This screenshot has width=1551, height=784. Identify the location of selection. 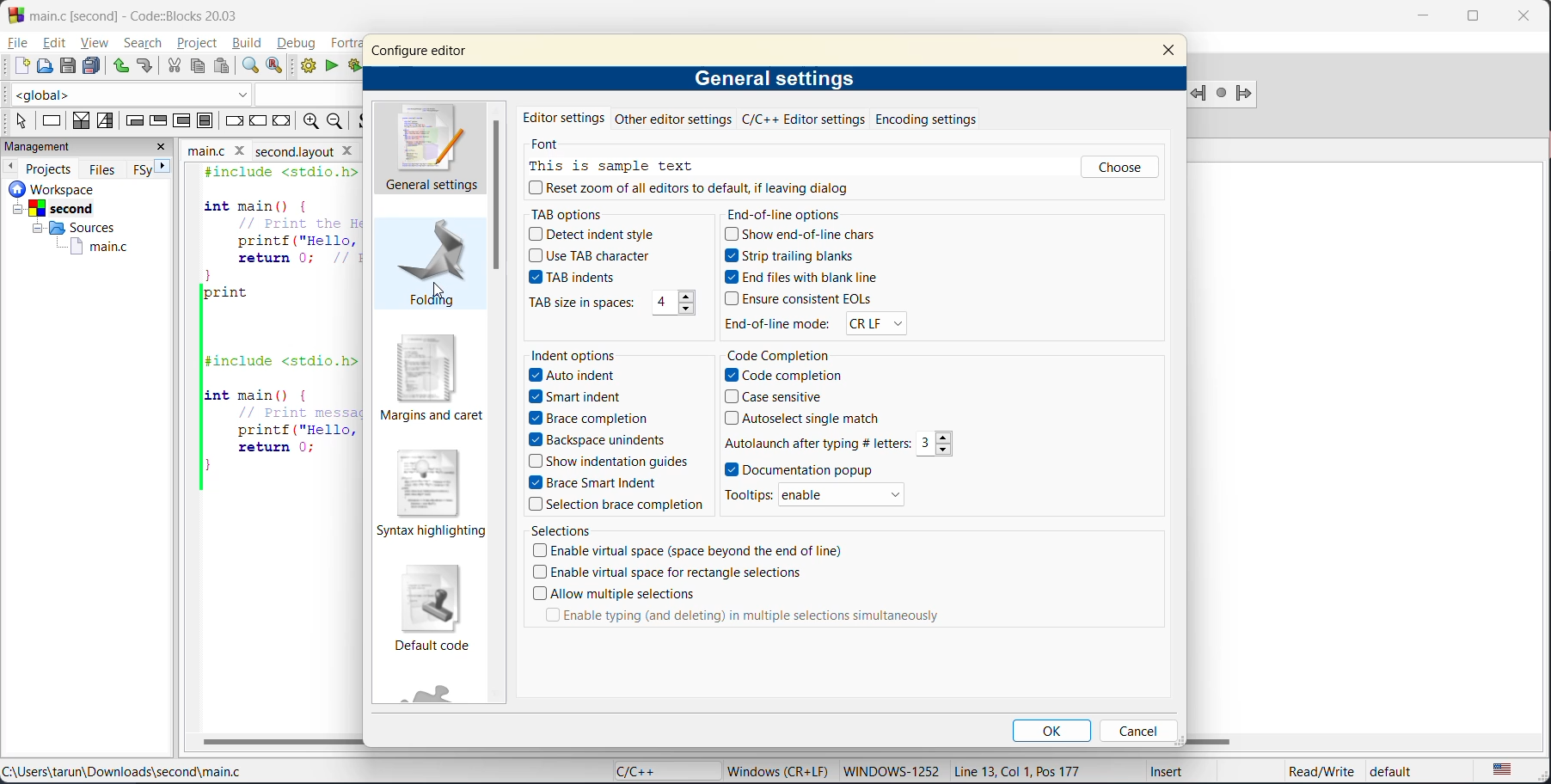
(107, 120).